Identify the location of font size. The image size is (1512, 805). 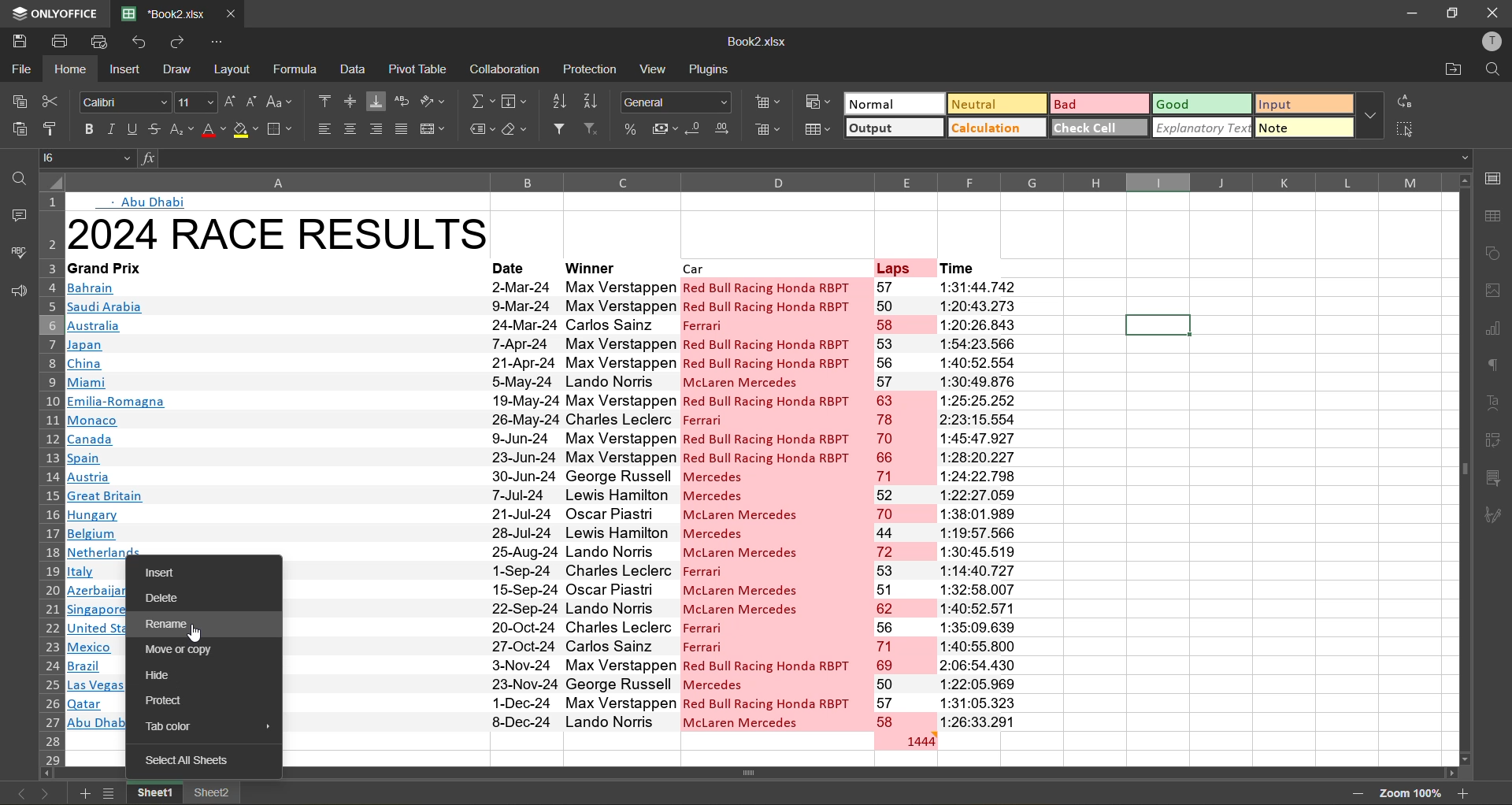
(197, 101).